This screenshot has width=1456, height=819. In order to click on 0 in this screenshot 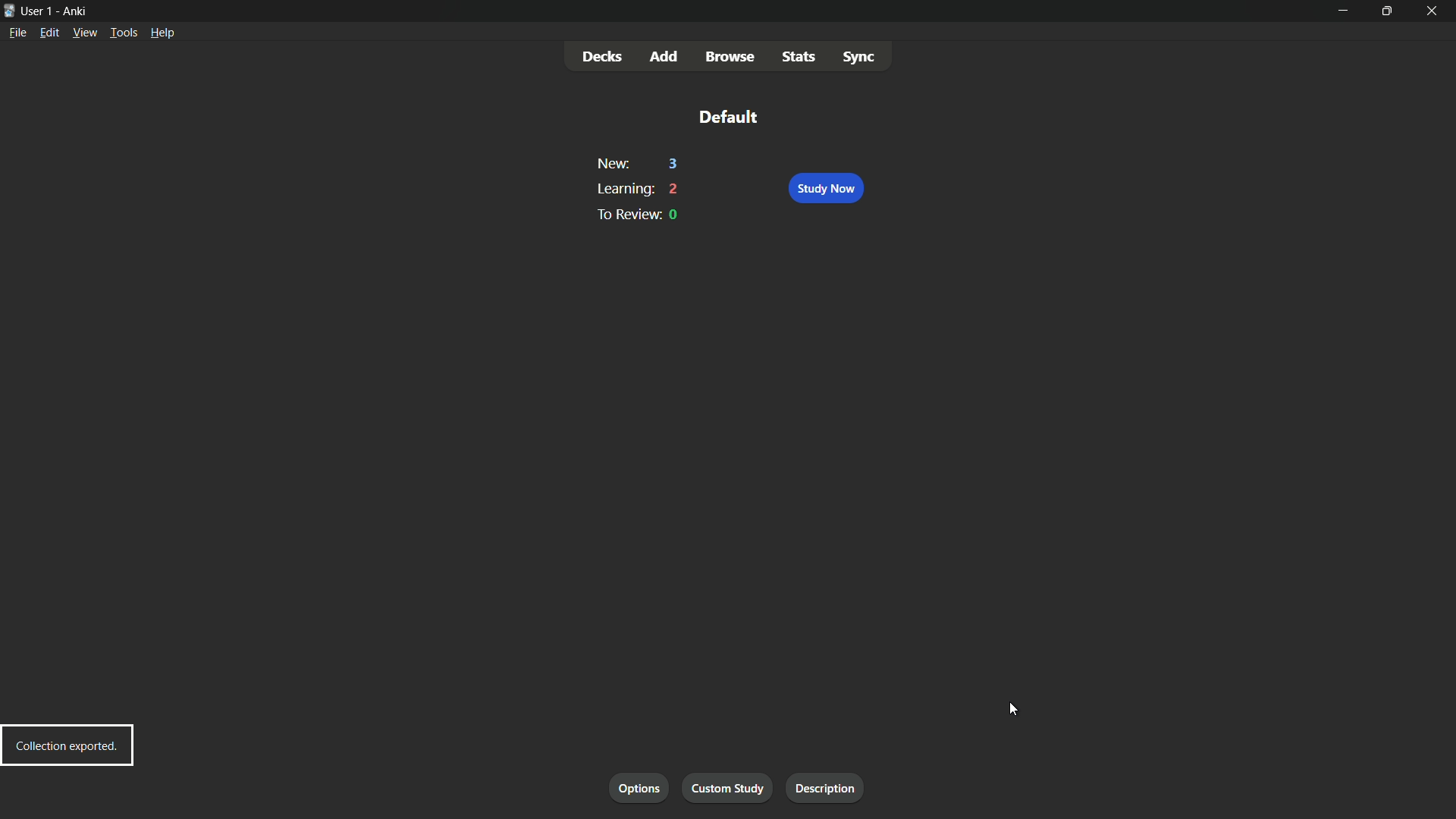, I will do `click(675, 215)`.